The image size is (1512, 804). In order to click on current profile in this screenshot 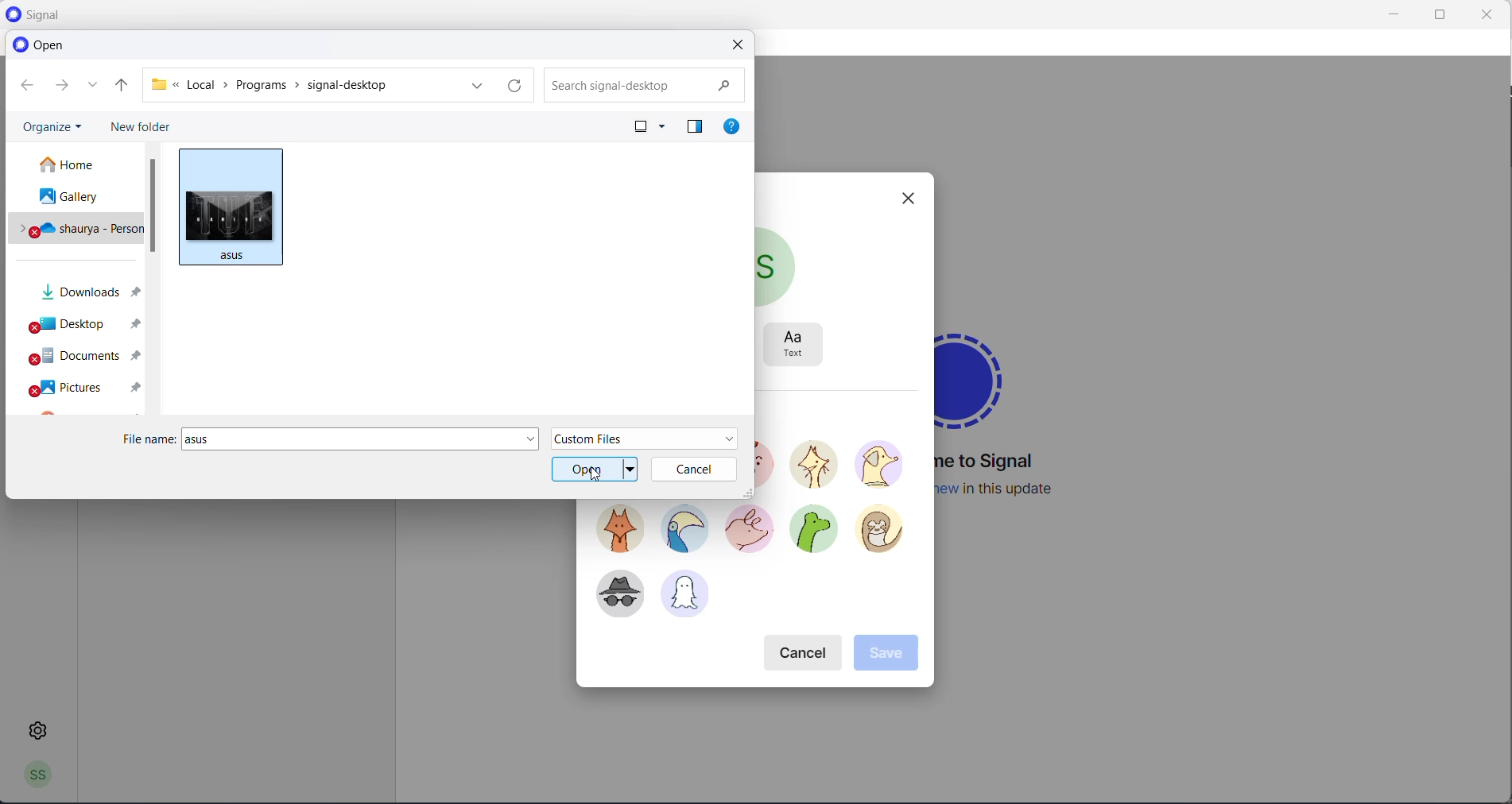, I will do `click(773, 267)`.